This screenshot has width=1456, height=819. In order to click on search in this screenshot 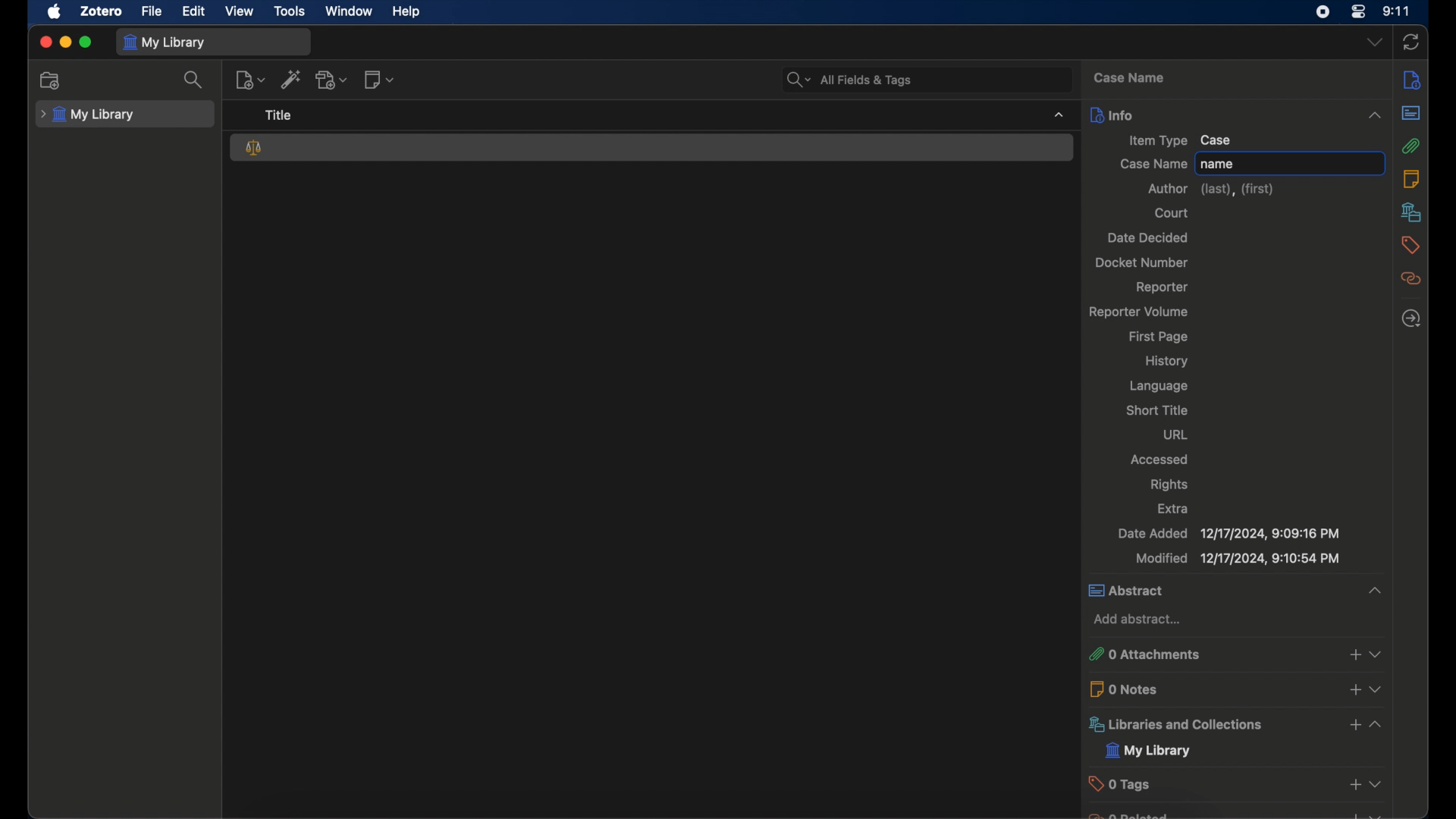, I will do `click(195, 80)`.